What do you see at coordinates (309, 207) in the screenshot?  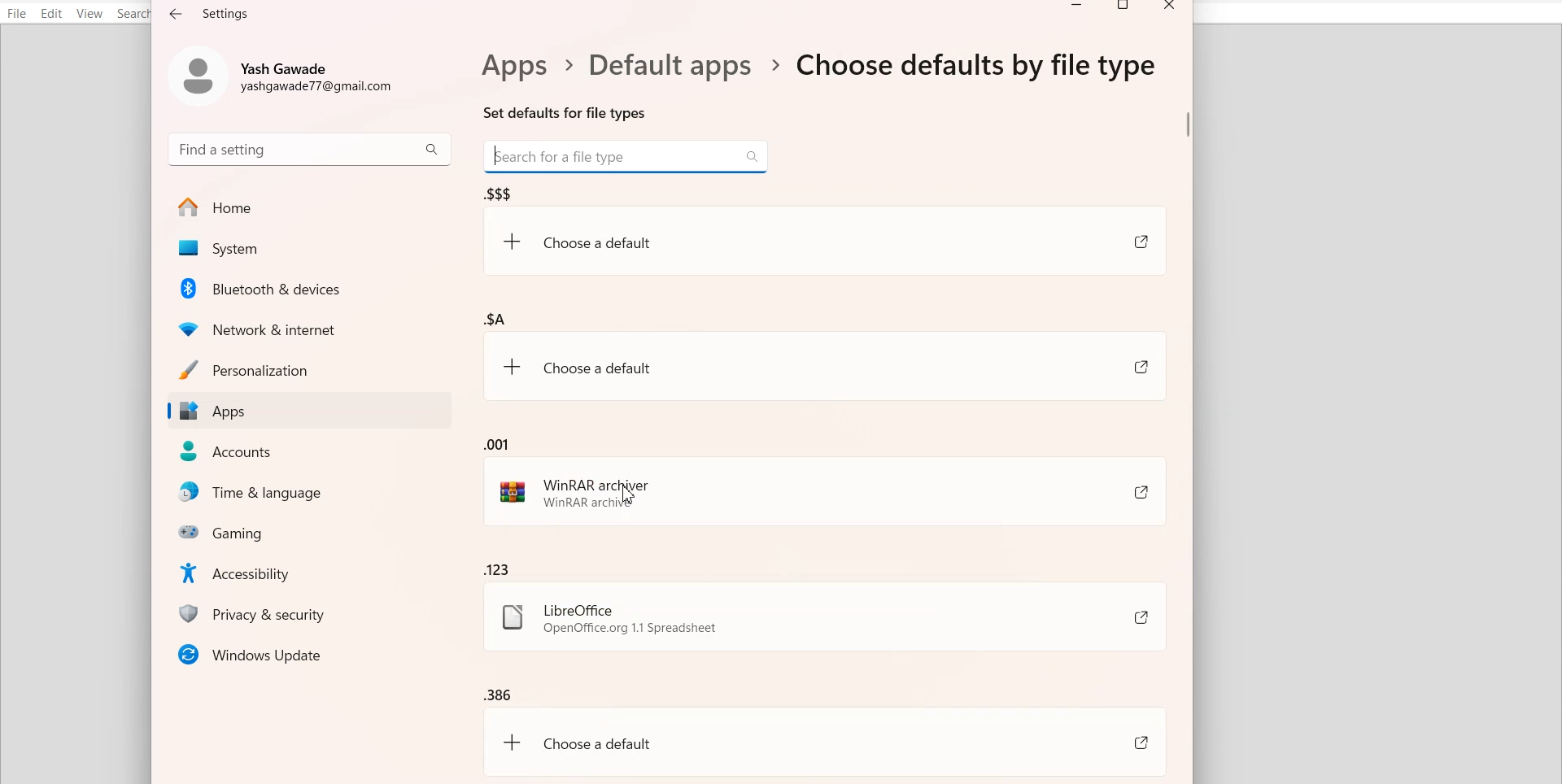 I see `Home` at bounding box center [309, 207].